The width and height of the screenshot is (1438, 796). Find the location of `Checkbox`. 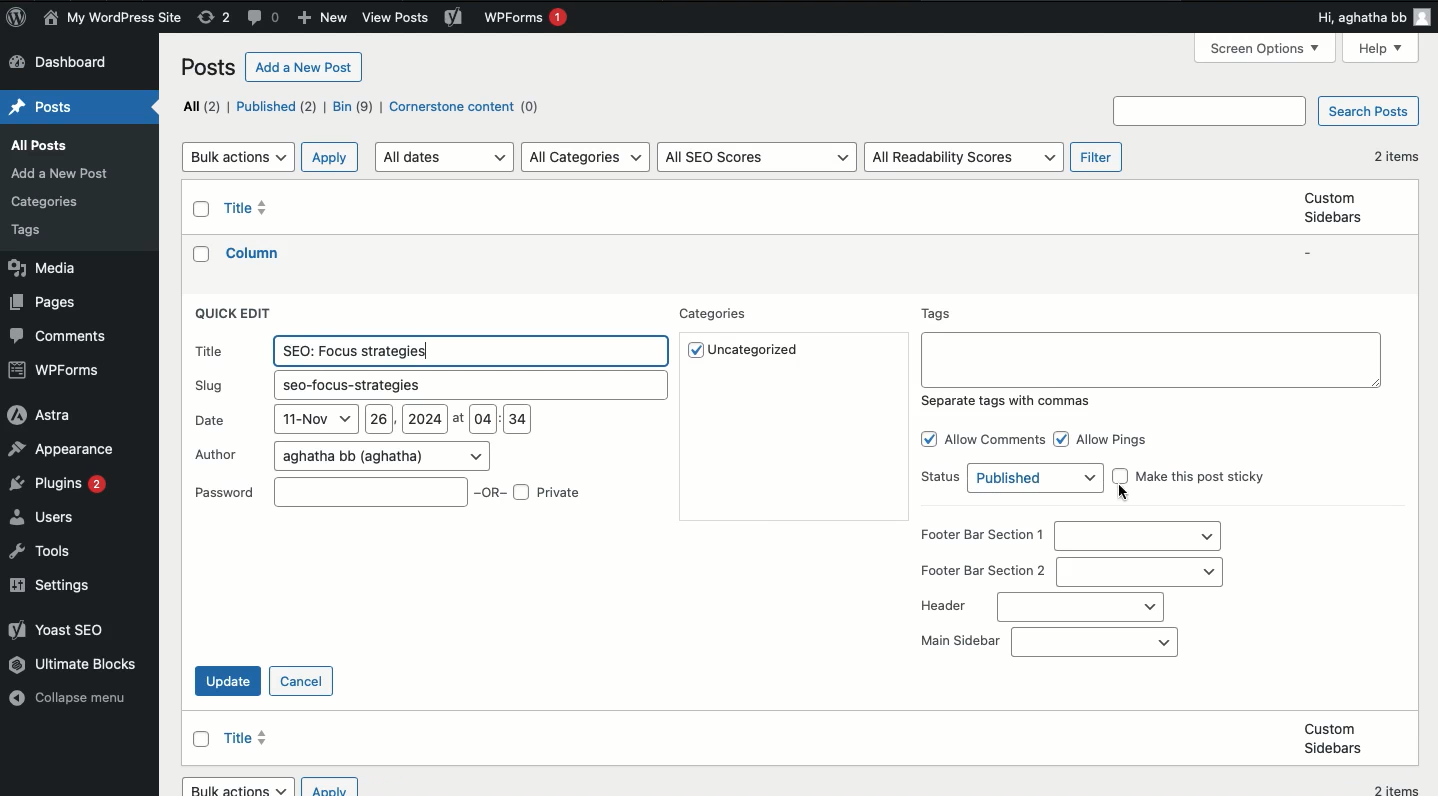

Checkbox is located at coordinates (202, 739).